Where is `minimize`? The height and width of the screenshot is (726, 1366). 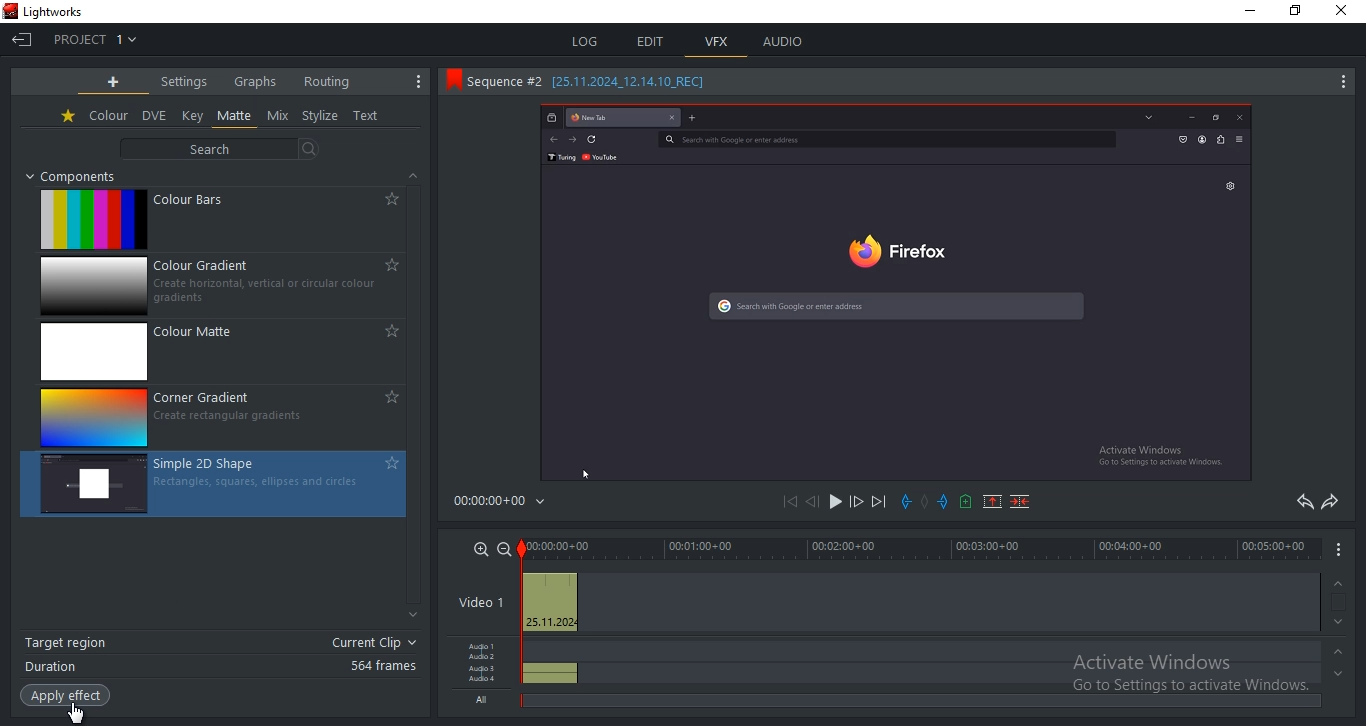
minimize is located at coordinates (1247, 10).